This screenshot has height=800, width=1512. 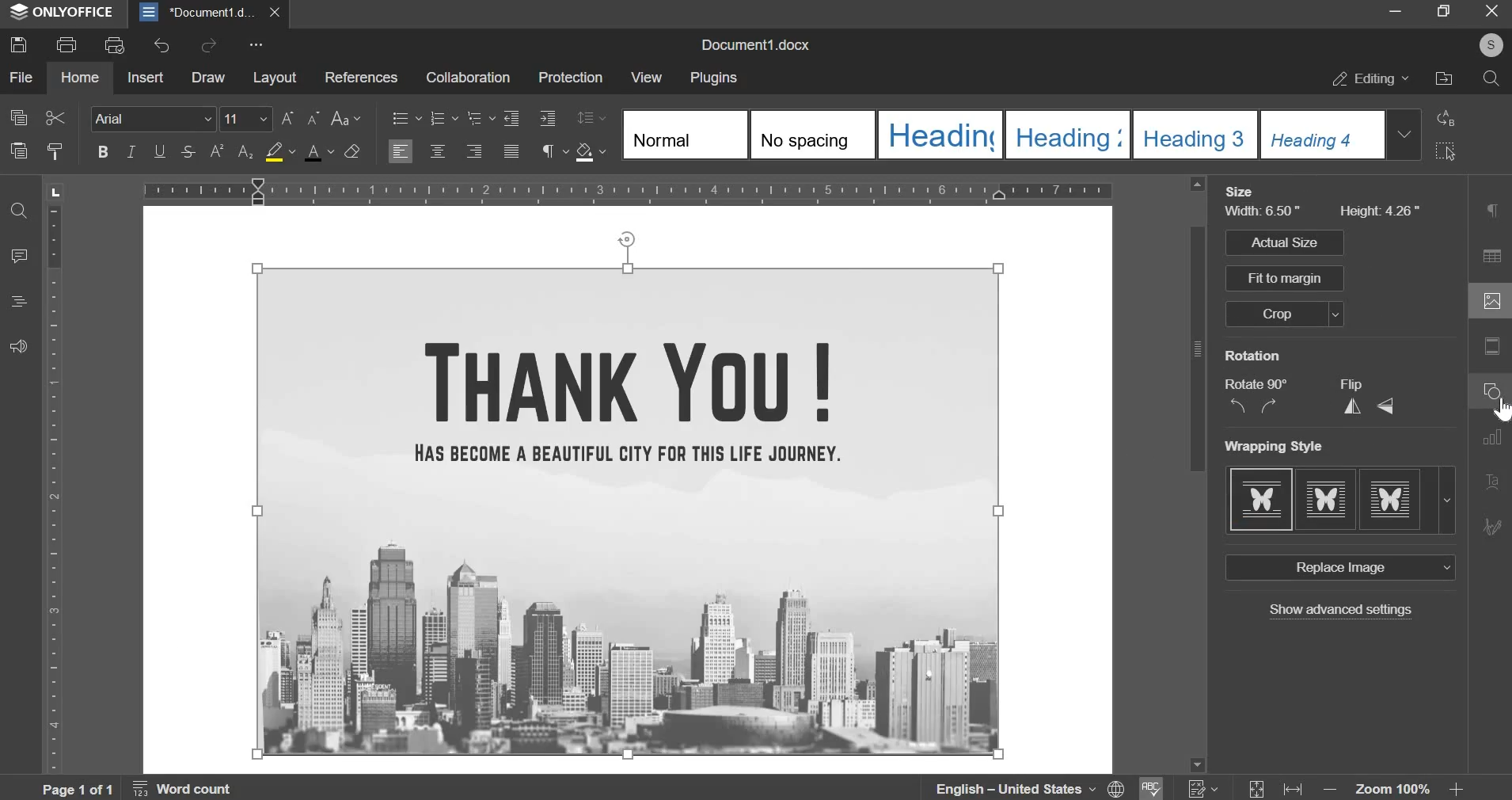 I want to click on print preview, so click(x=115, y=47).